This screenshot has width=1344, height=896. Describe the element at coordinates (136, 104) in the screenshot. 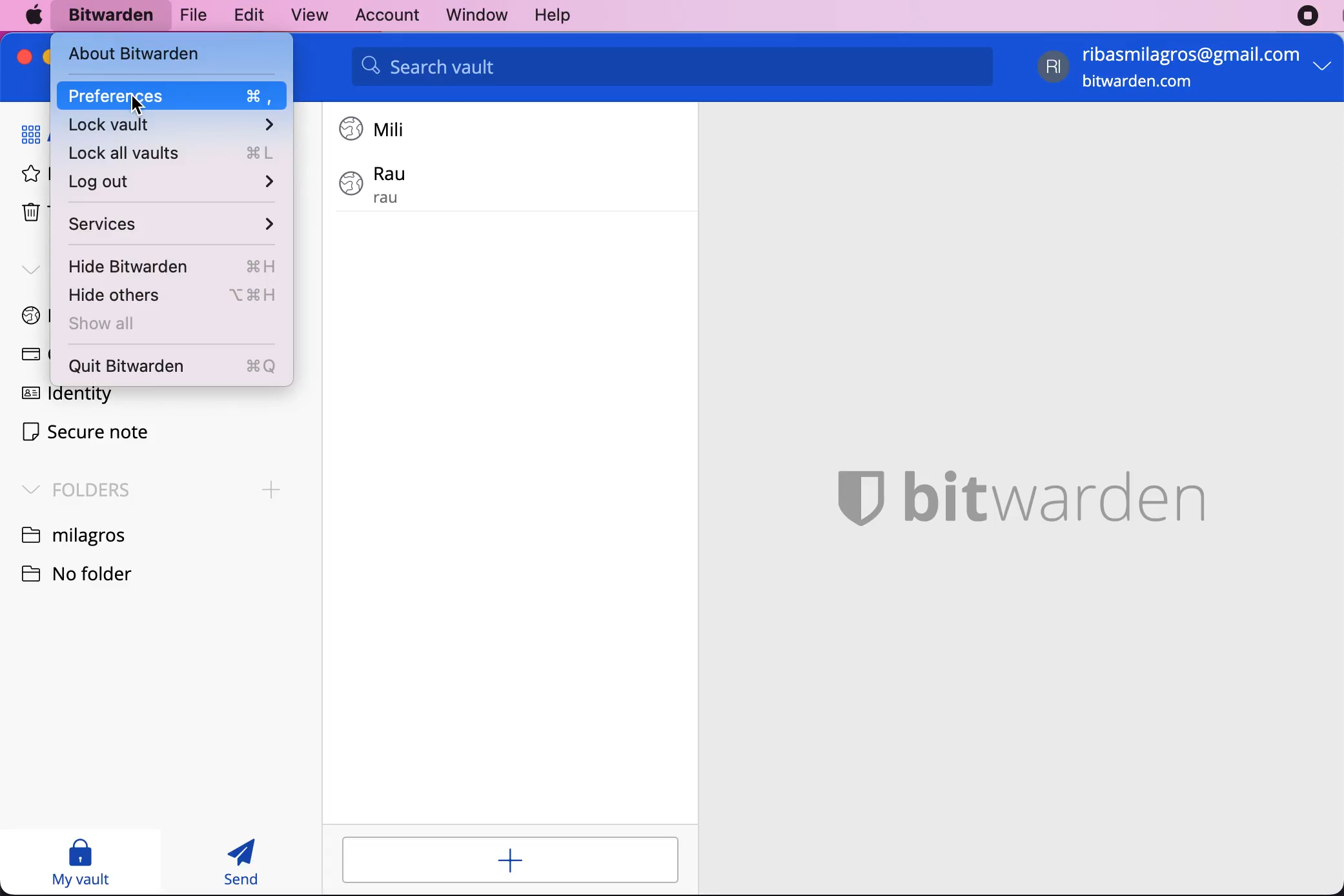

I see `Cursor` at that location.